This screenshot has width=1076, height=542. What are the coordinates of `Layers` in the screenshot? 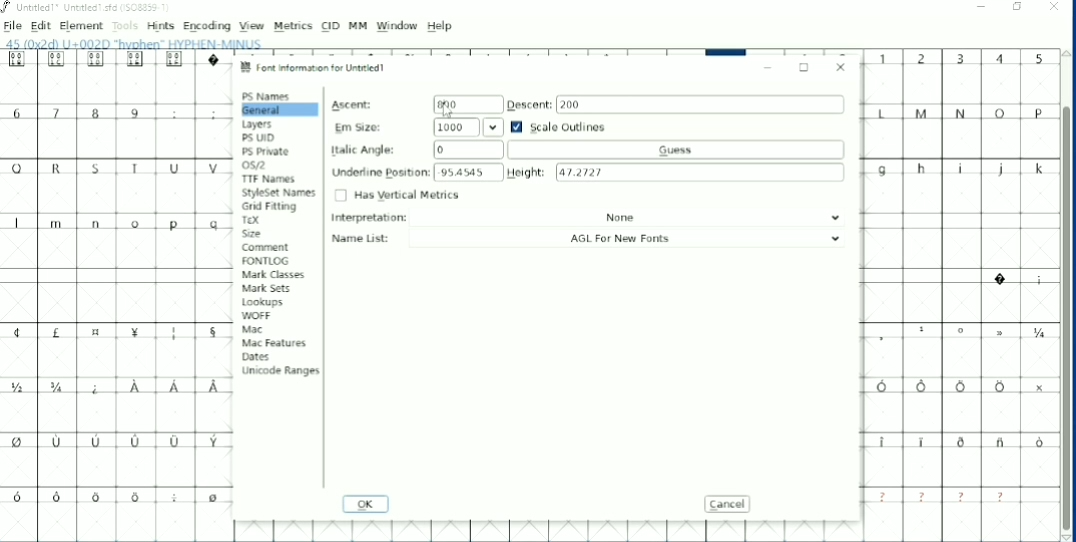 It's located at (259, 125).